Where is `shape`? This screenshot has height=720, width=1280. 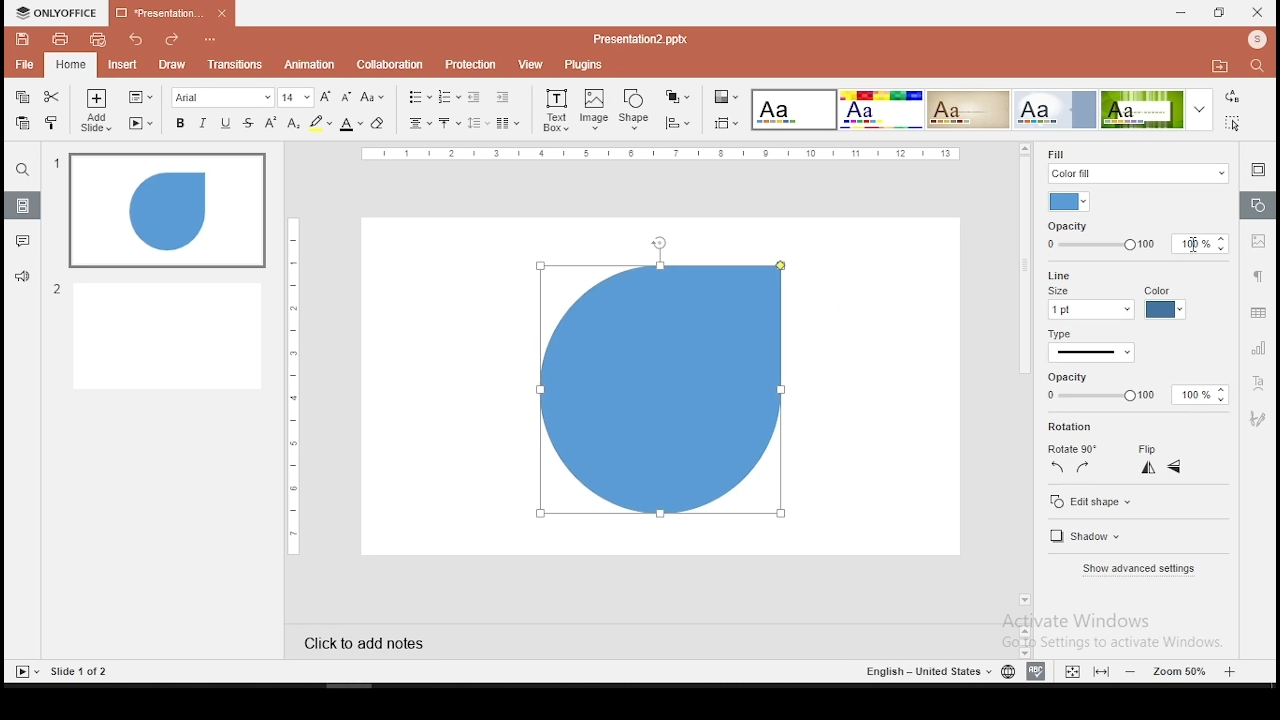
shape is located at coordinates (663, 397).